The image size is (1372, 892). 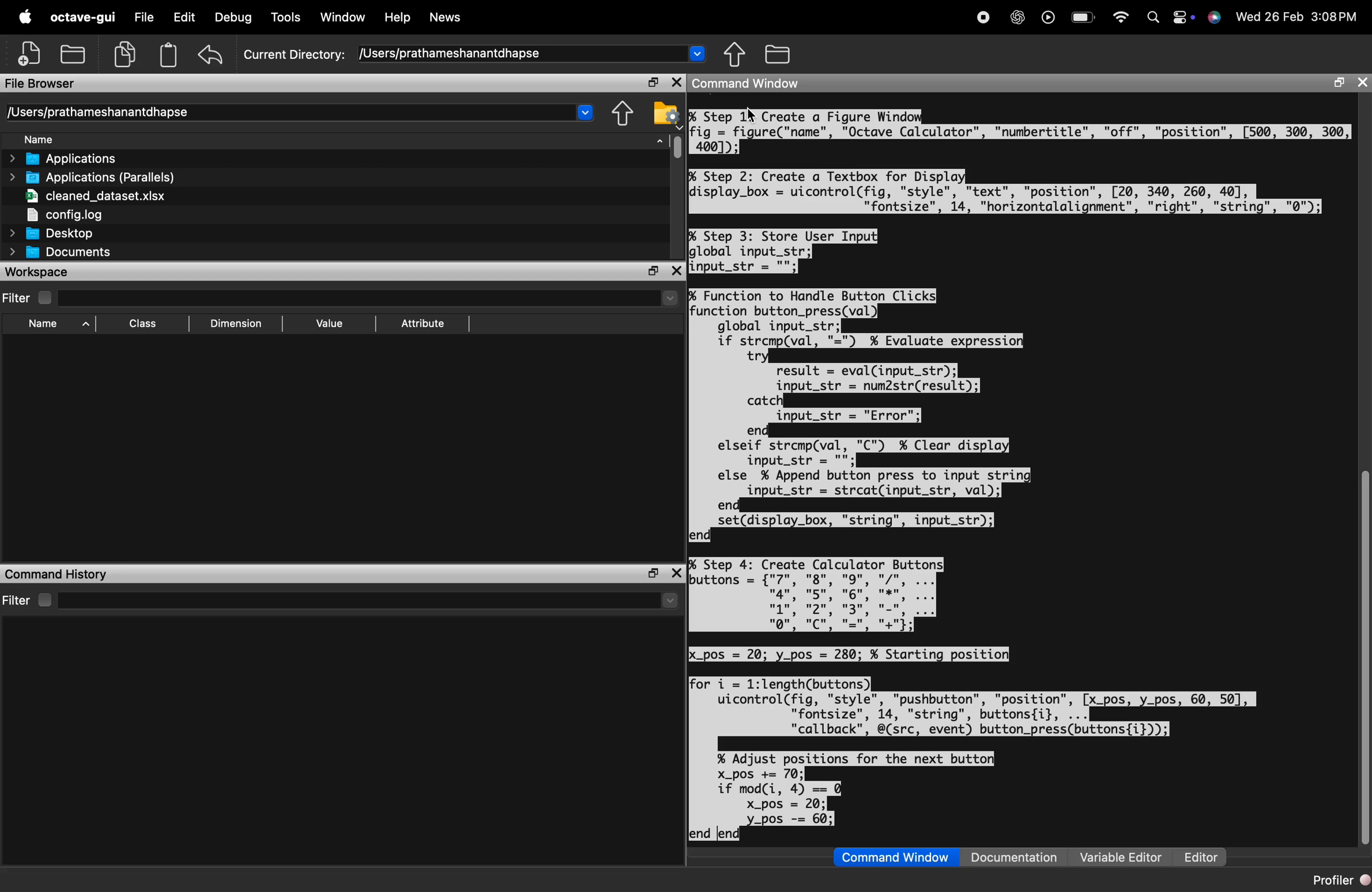 I want to click on Siri, so click(x=1215, y=17).